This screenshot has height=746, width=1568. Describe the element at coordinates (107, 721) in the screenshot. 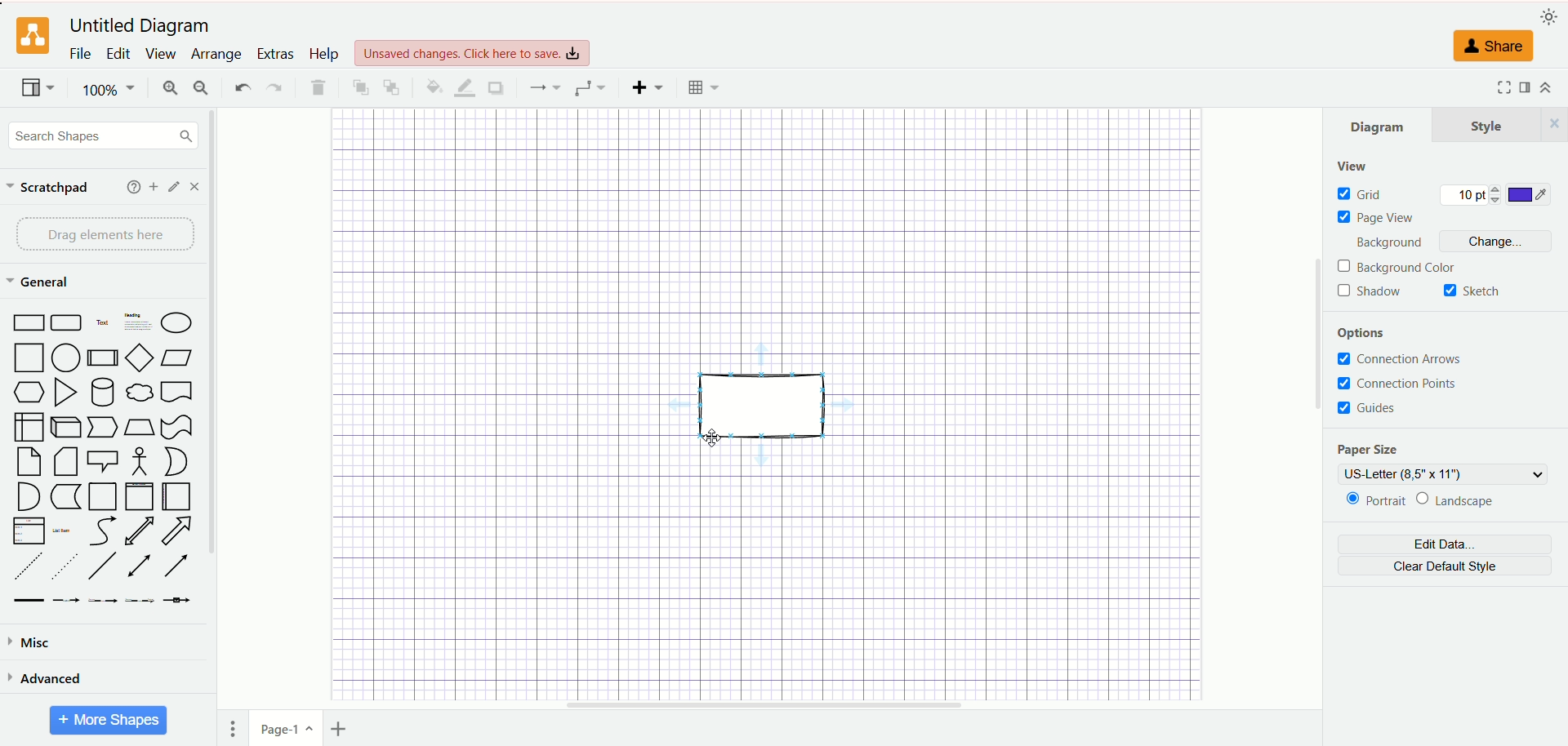

I see `more shapes` at that location.